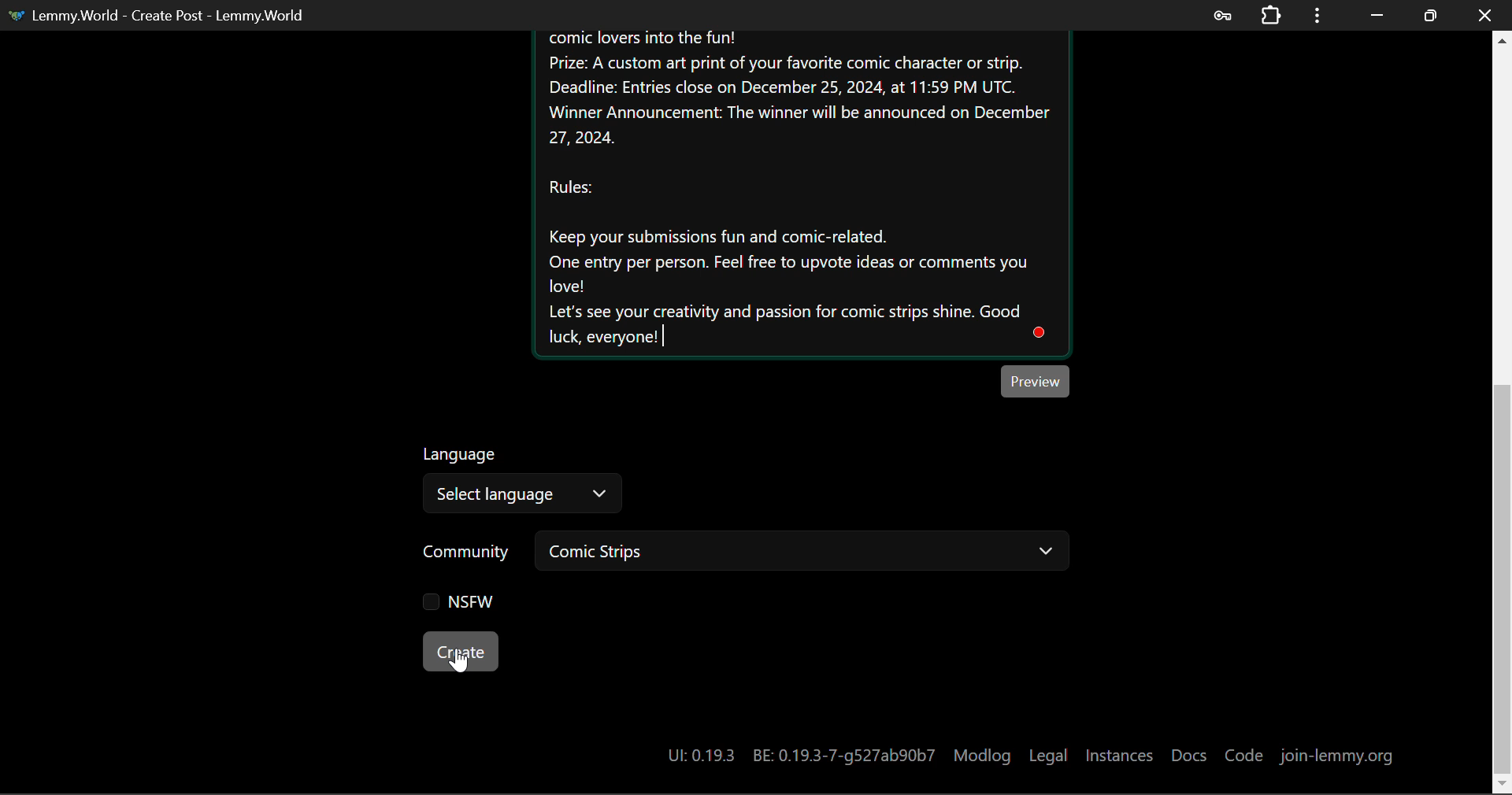 The width and height of the screenshot is (1512, 795). Describe the element at coordinates (462, 452) in the screenshot. I see `Language` at that location.